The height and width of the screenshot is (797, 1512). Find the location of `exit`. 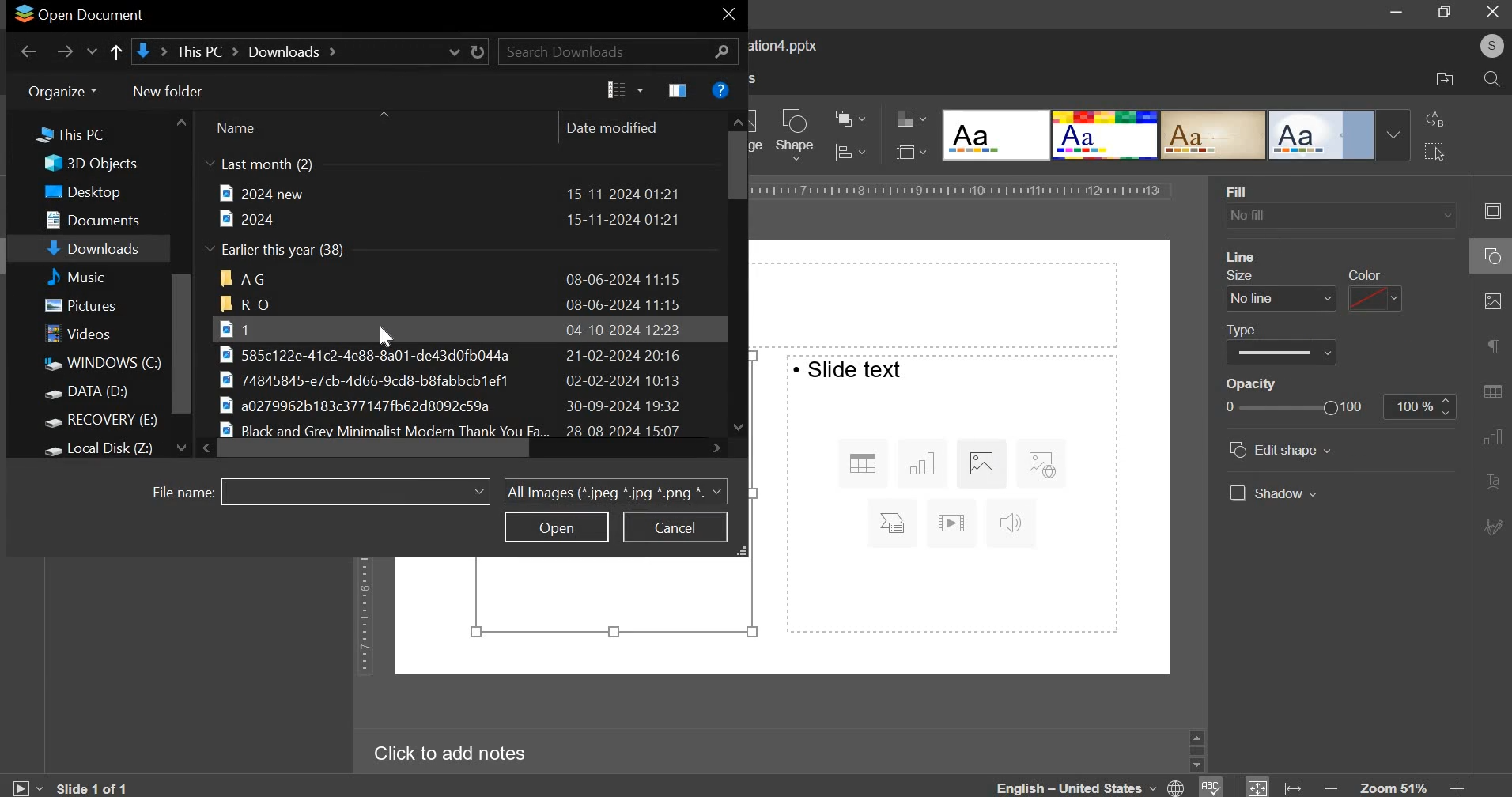

exit is located at coordinates (728, 17).